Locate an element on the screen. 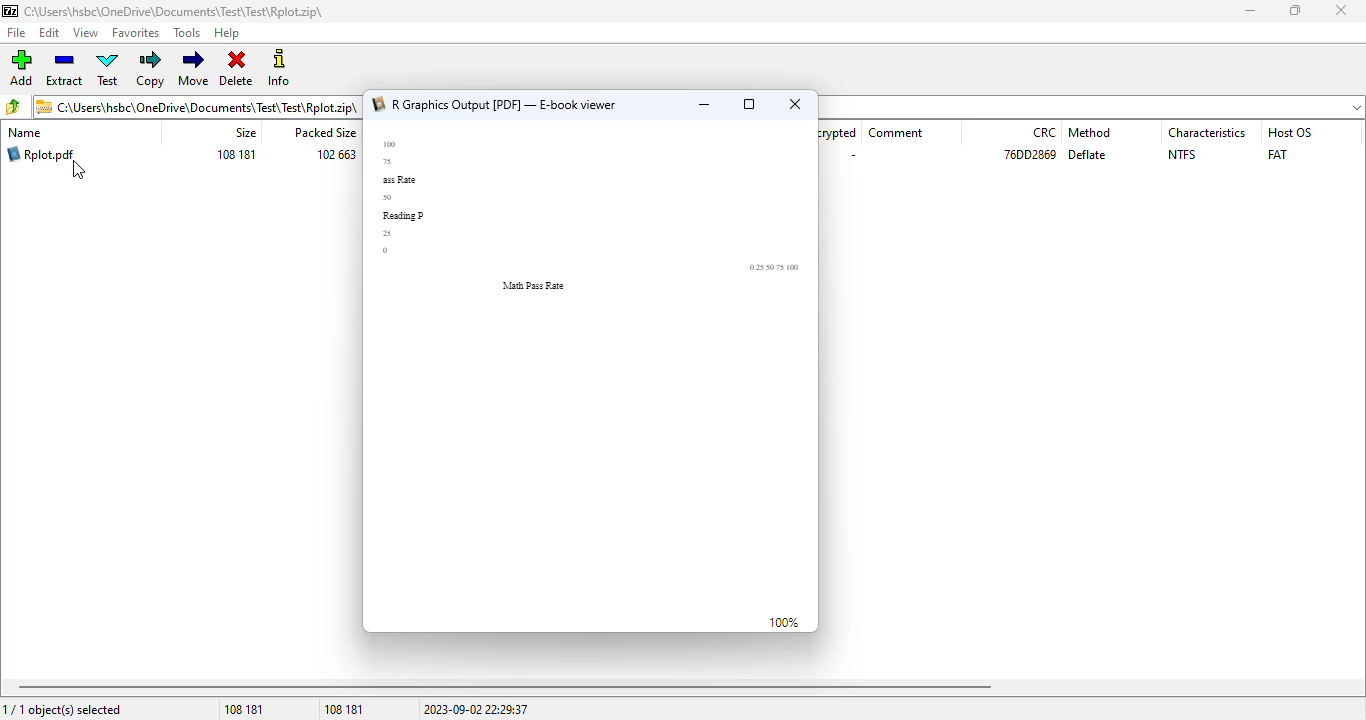  NTFS is located at coordinates (1182, 155).